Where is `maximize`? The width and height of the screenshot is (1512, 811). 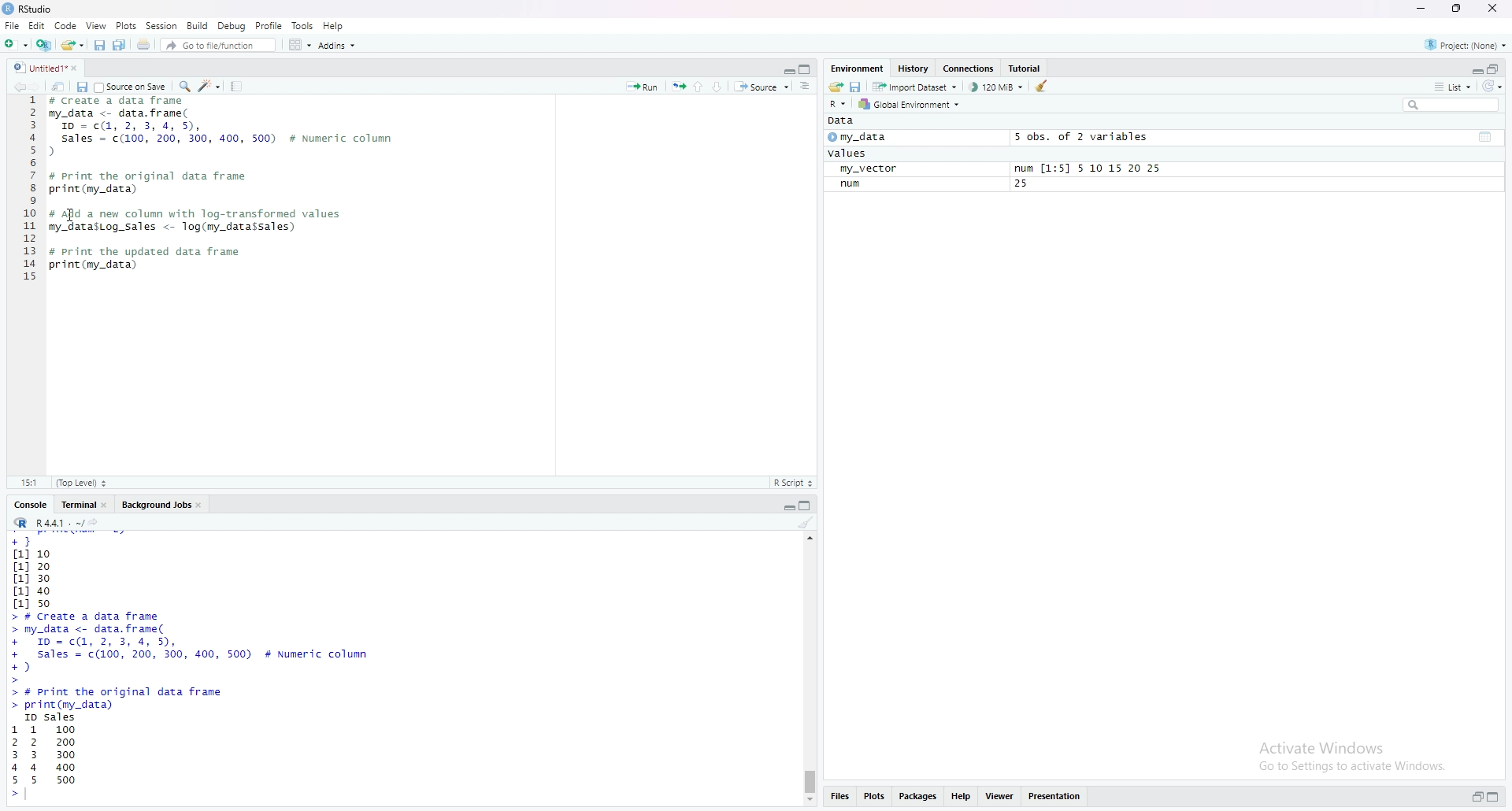 maximize is located at coordinates (1464, 10).